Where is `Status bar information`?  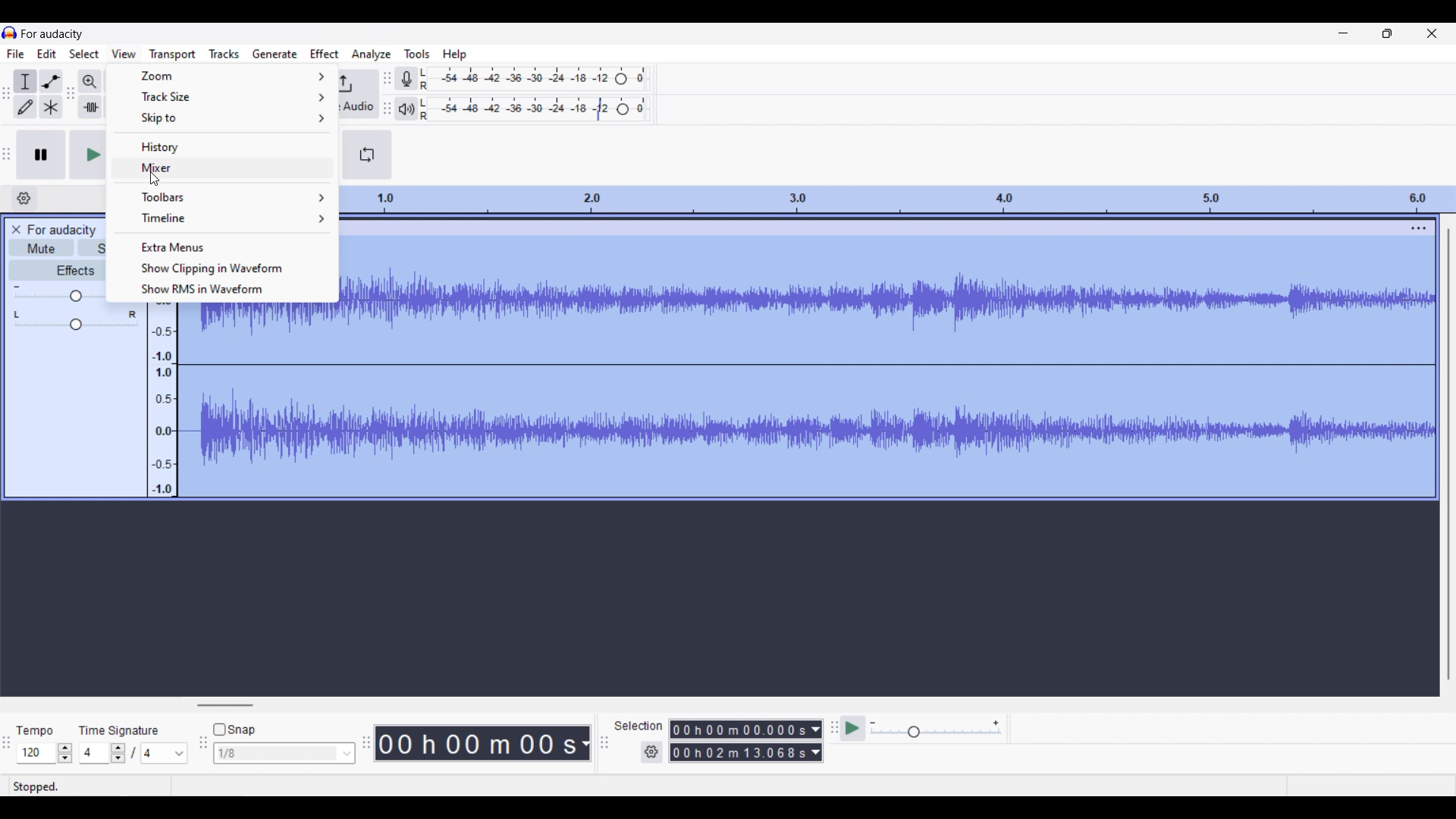 Status bar information is located at coordinates (42, 786).